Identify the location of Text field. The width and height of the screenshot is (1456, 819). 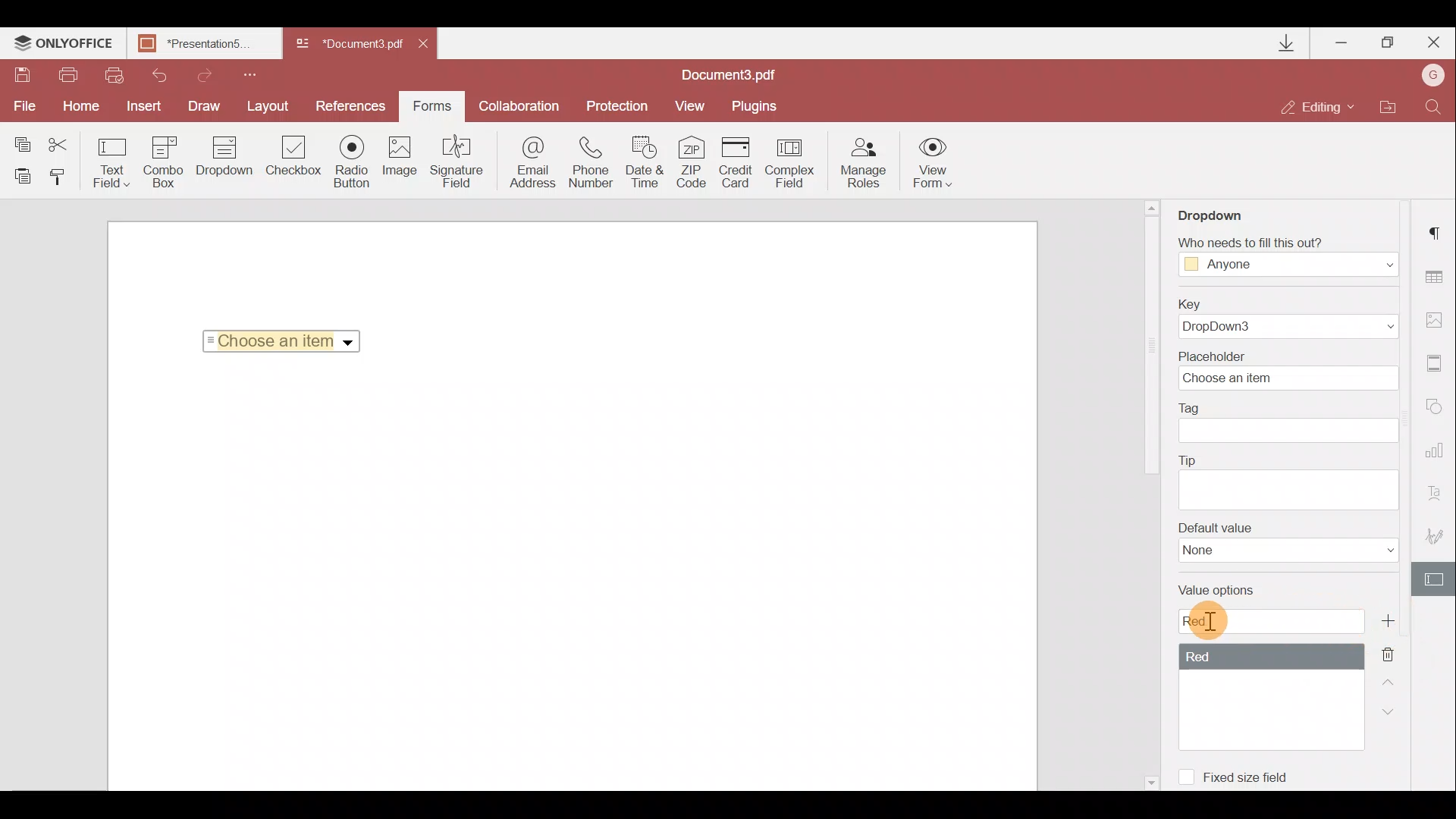
(109, 162).